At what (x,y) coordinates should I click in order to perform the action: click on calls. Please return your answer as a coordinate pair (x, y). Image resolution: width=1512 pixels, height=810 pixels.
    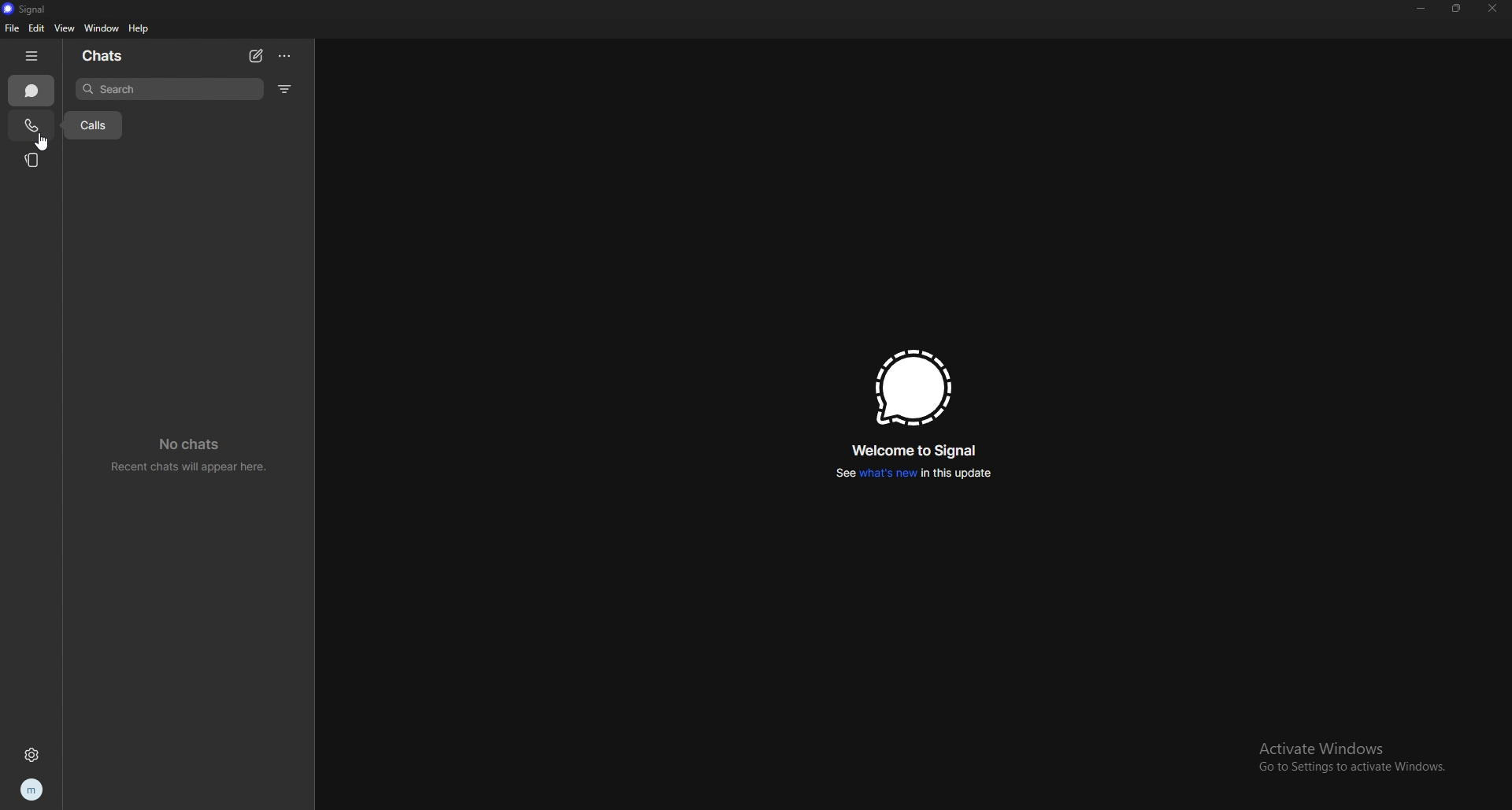
    Looking at the image, I should click on (91, 125).